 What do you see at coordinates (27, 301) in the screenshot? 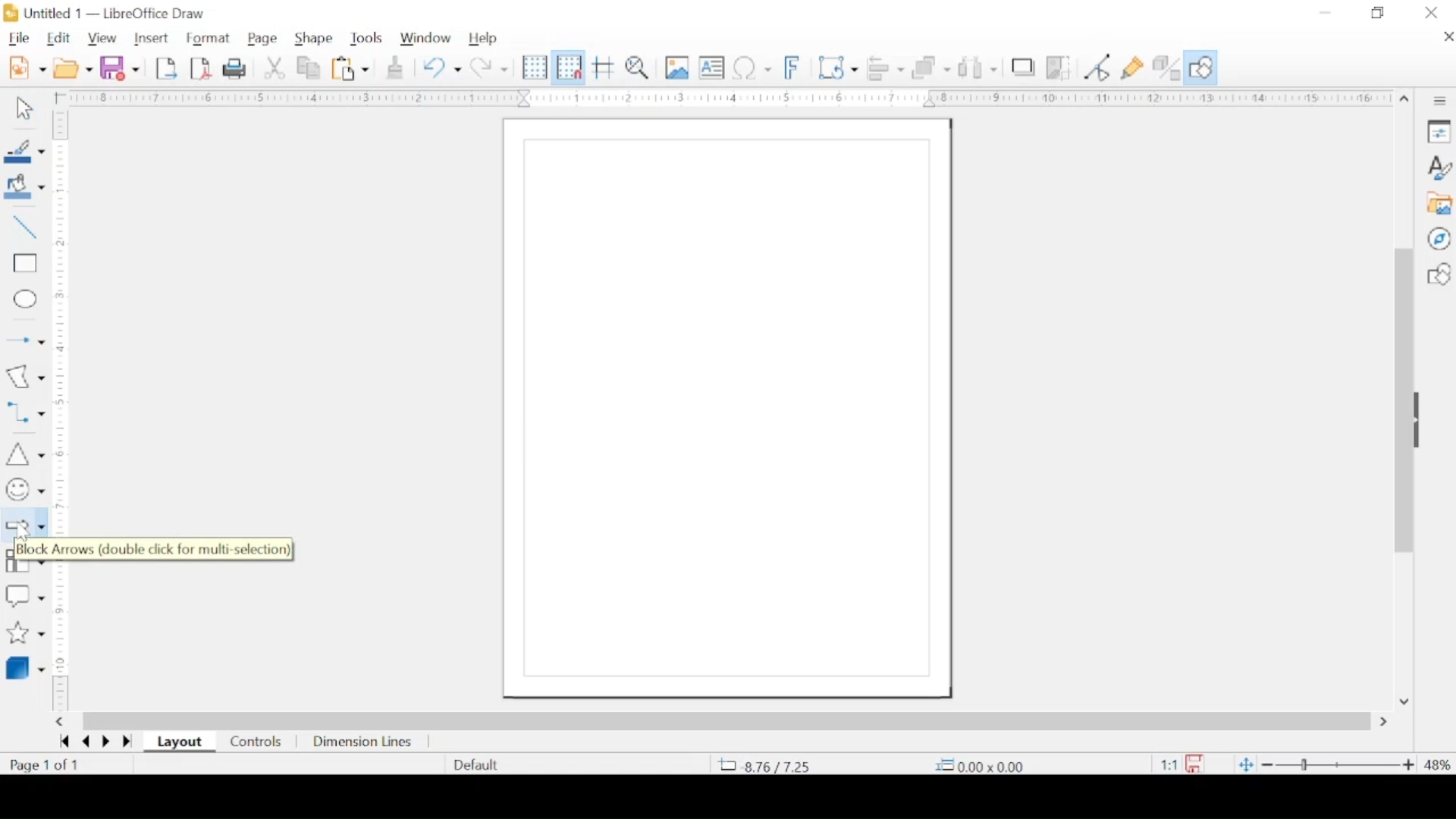
I see `ellipse` at bounding box center [27, 301].